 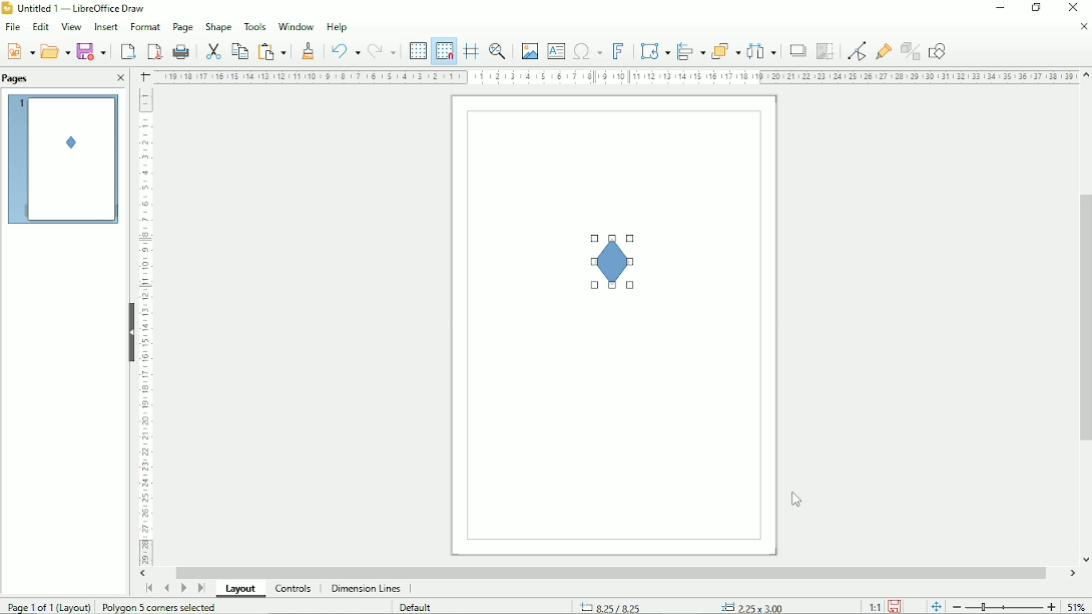 What do you see at coordinates (55, 50) in the screenshot?
I see `Open` at bounding box center [55, 50].